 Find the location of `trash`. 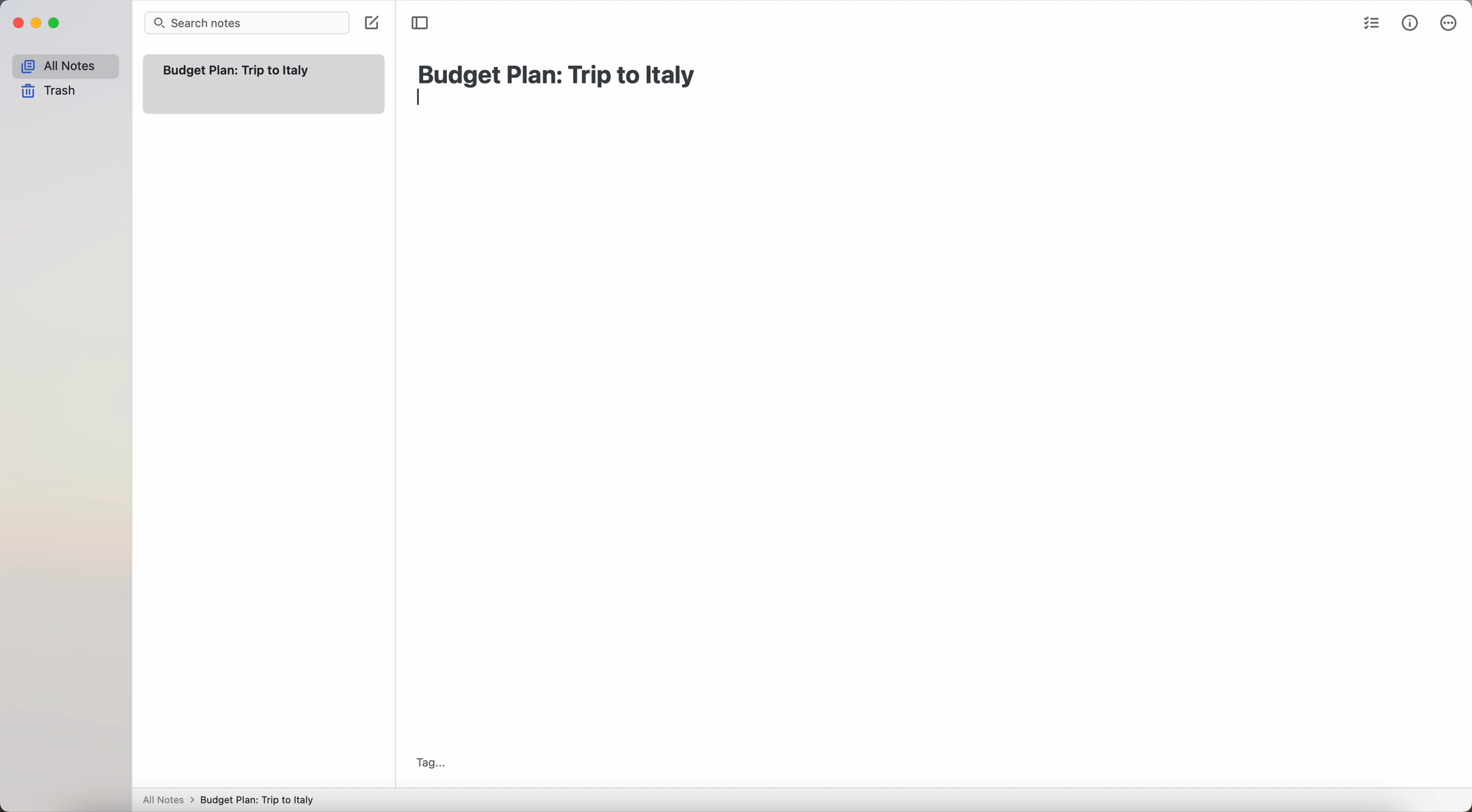

trash is located at coordinates (49, 91).